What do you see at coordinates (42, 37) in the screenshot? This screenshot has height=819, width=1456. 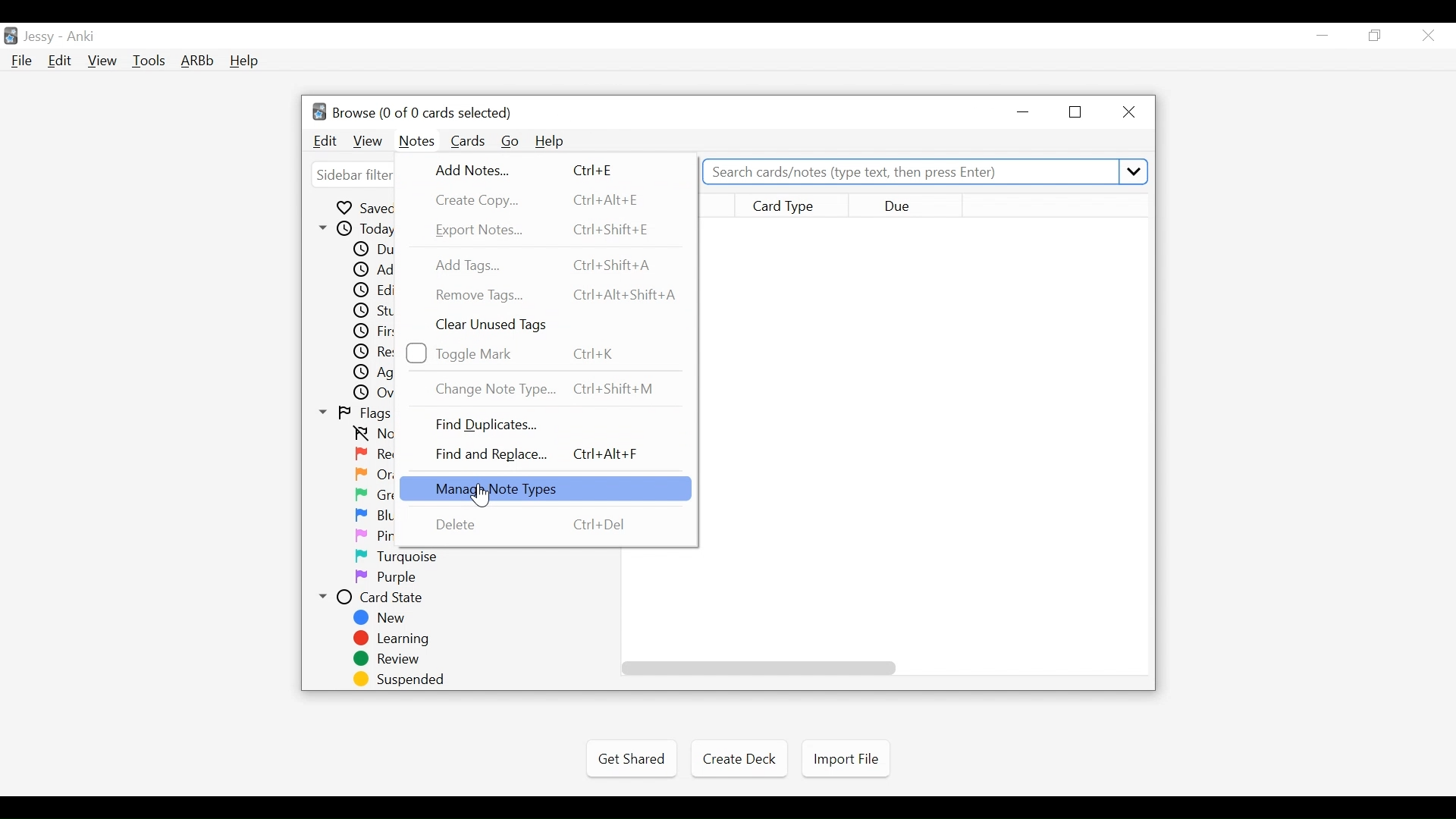 I see `User Nmae` at bounding box center [42, 37].